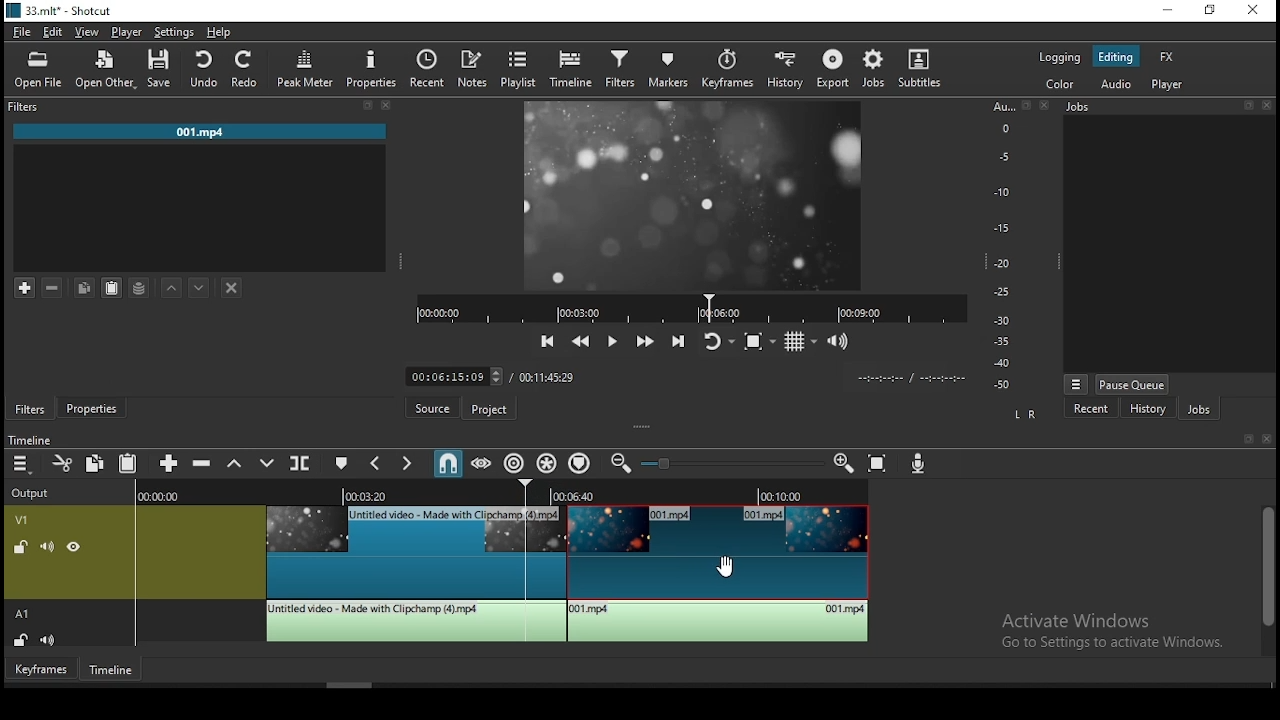 The height and width of the screenshot is (720, 1280). What do you see at coordinates (203, 108) in the screenshot?
I see `filters` at bounding box center [203, 108].